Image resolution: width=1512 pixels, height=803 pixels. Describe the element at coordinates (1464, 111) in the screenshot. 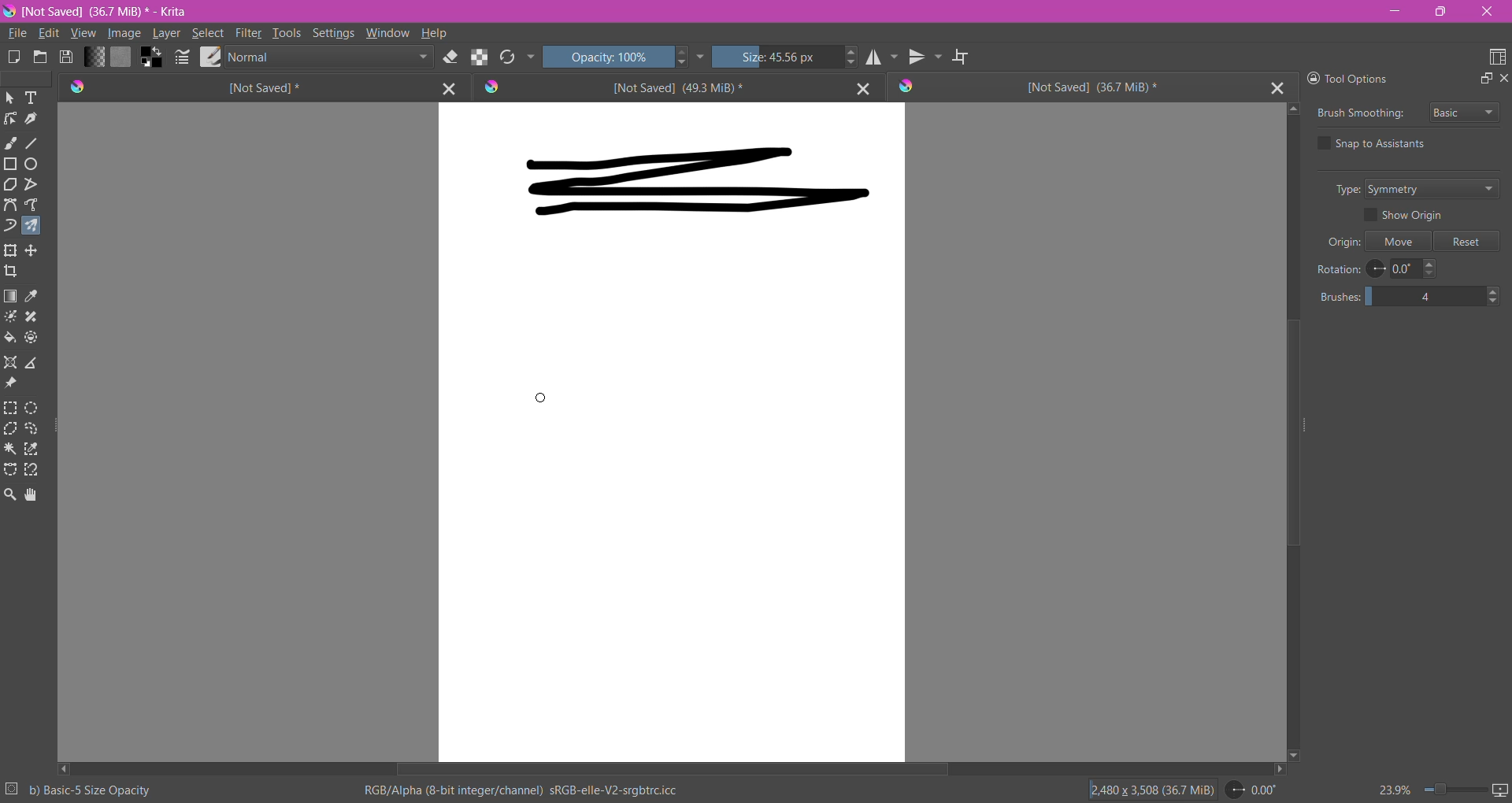

I see `Select Brush Smoothing style` at that location.